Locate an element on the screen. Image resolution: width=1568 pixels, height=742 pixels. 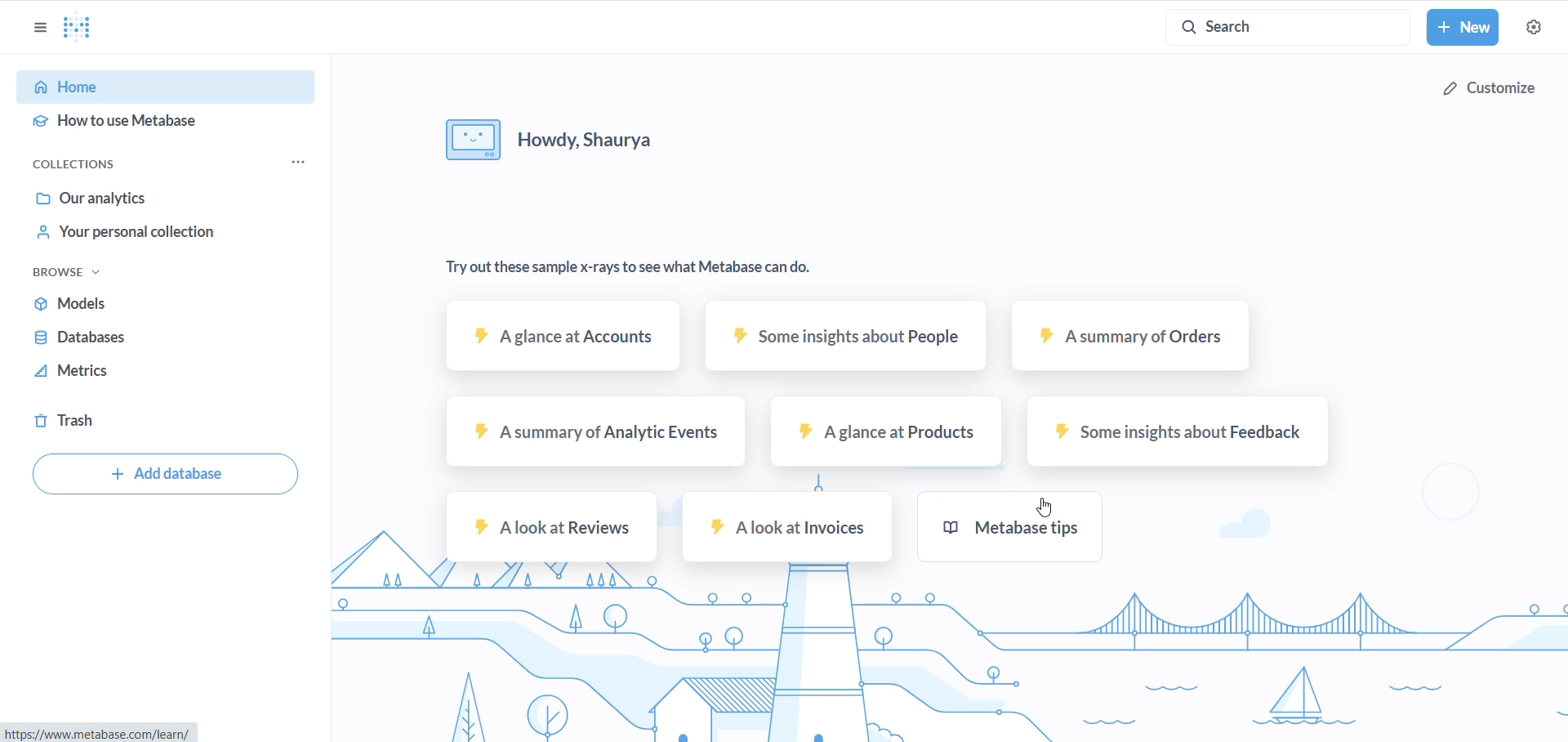
new is located at coordinates (1463, 27).